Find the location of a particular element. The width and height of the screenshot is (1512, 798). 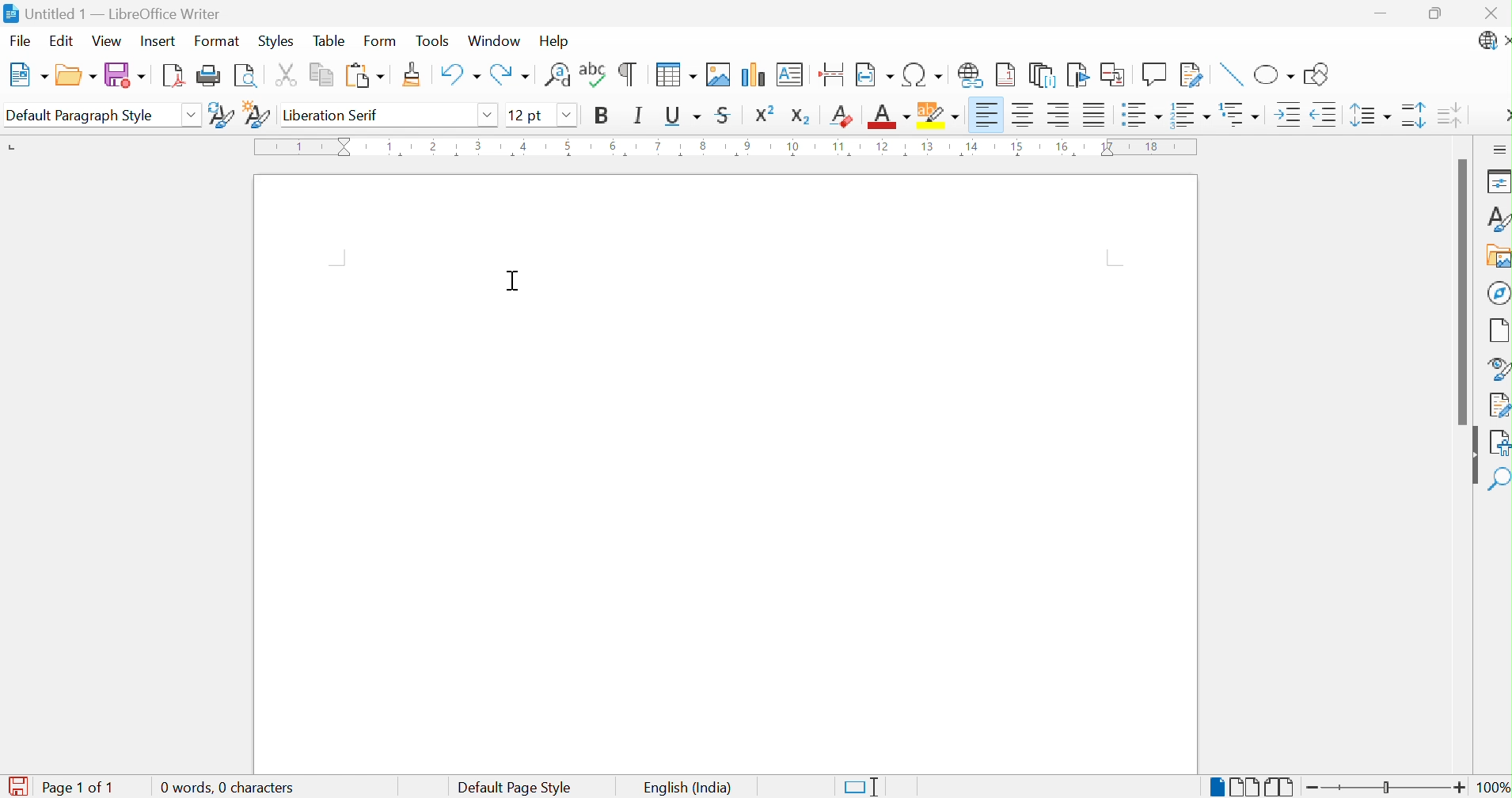

Default Paragraph Style is located at coordinates (80, 114).